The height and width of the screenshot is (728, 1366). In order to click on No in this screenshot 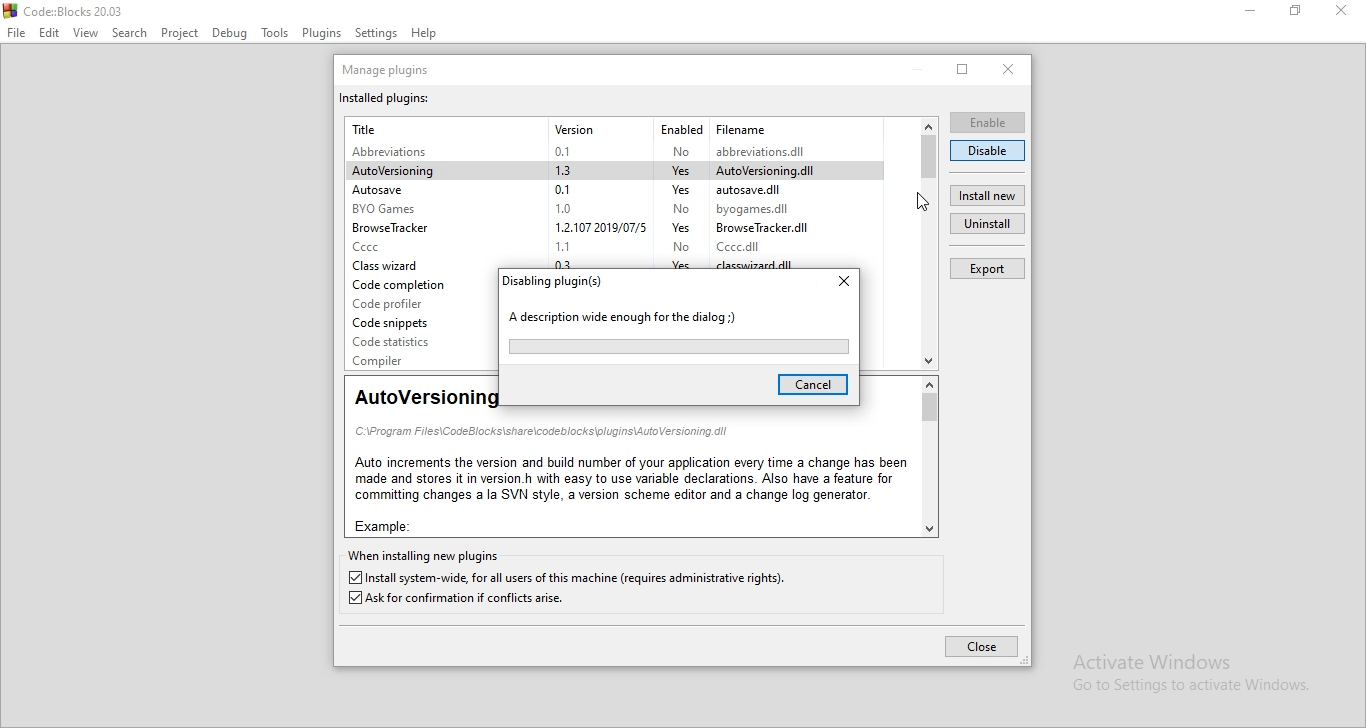, I will do `click(681, 248)`.